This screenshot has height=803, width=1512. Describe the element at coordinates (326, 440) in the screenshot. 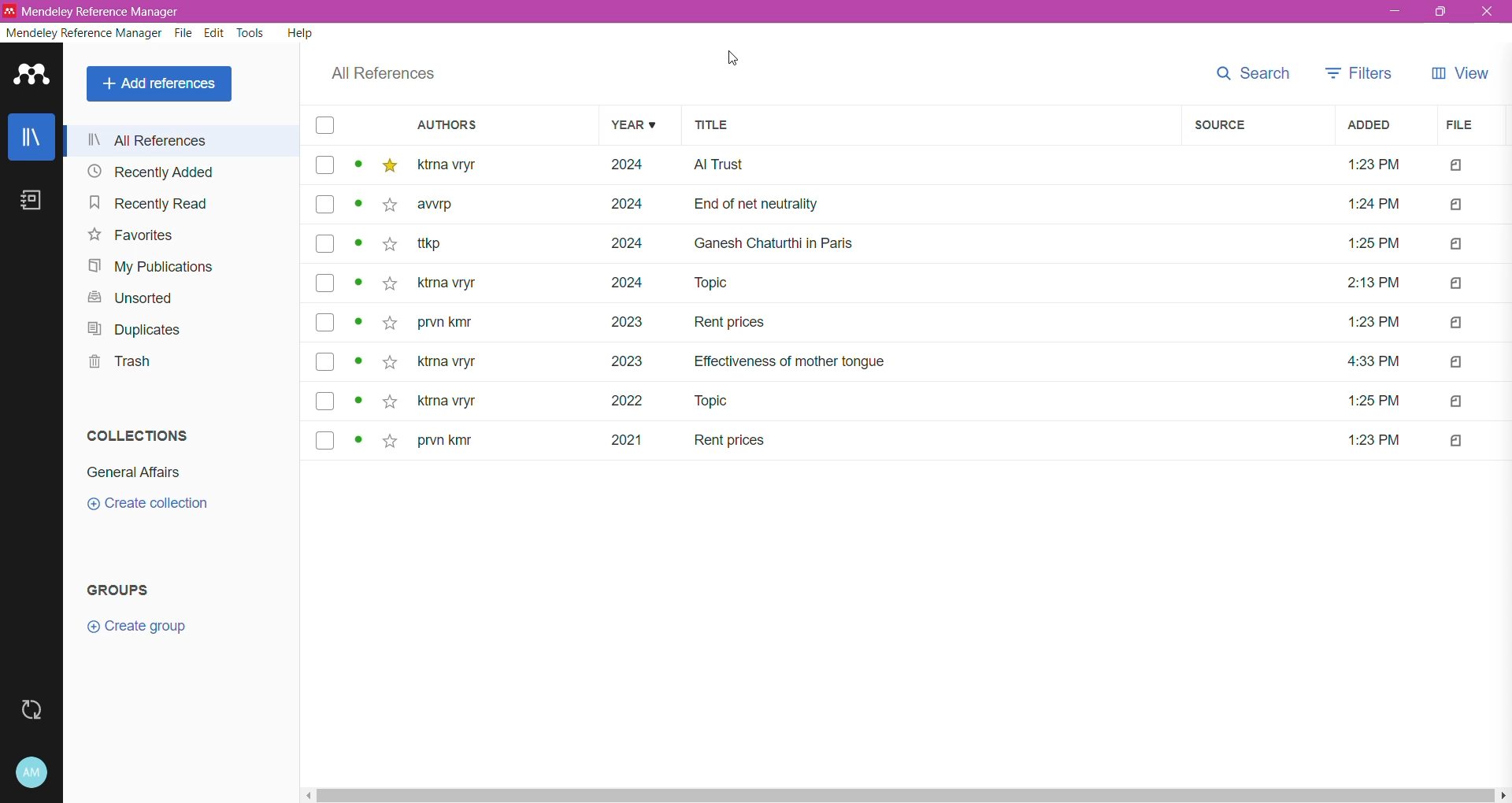

I see `select` at that location.